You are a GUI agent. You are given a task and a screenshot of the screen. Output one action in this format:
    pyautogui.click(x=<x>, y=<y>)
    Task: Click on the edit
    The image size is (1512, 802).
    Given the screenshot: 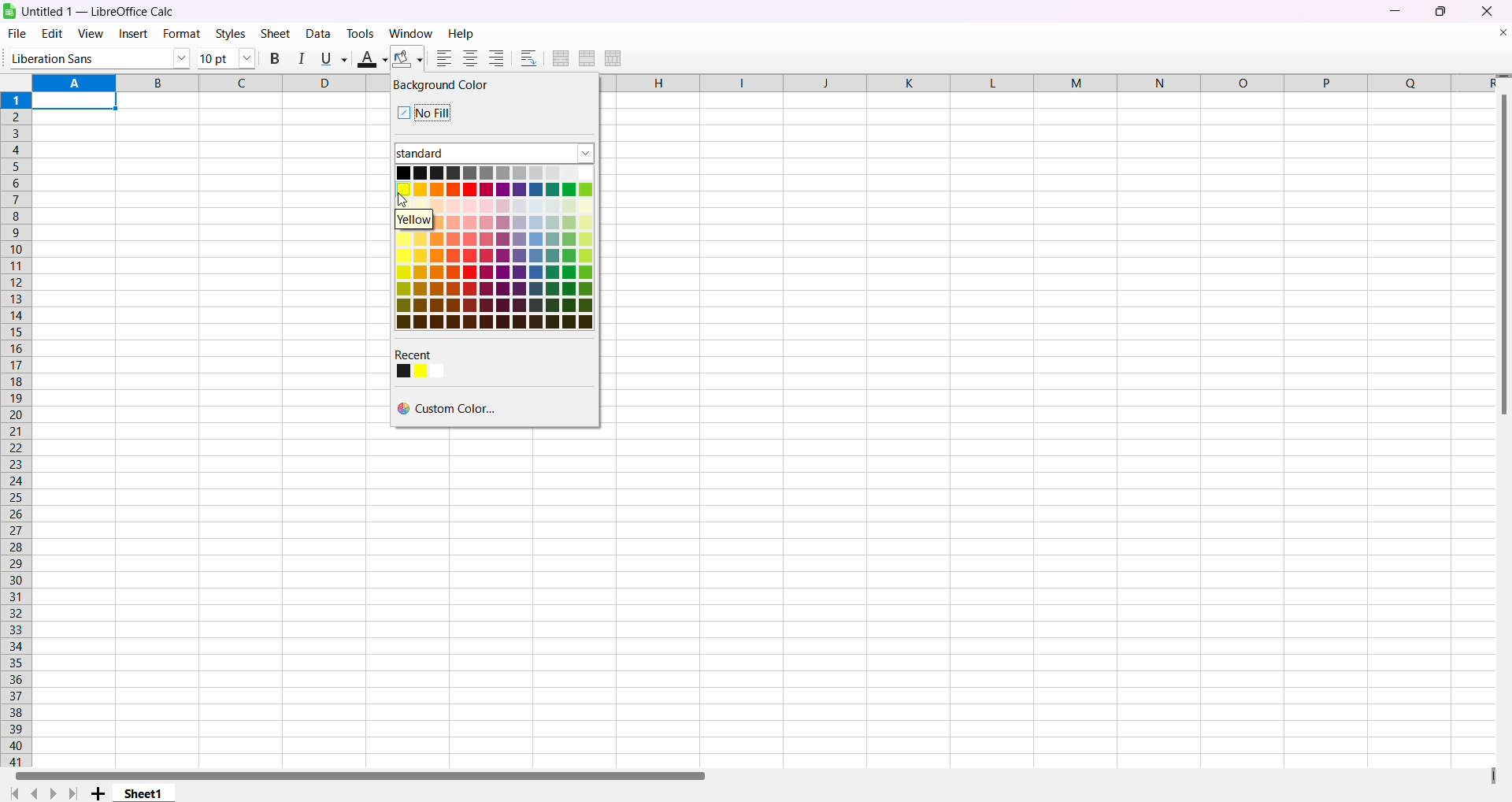 What is the action you would take?
    pyautogui.click(x=50, y=32)
    